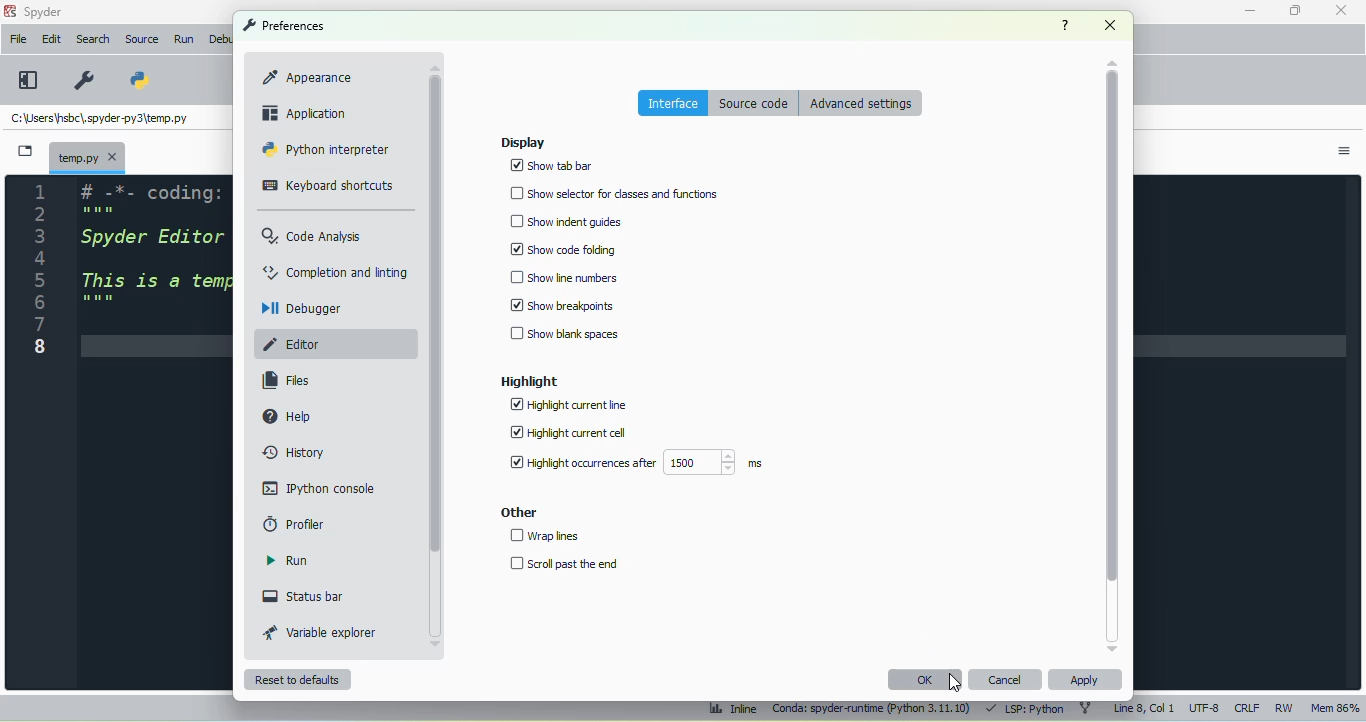 This screenshot has height=722, width=1366. I want to click on browse tabs, so click(24, 151).